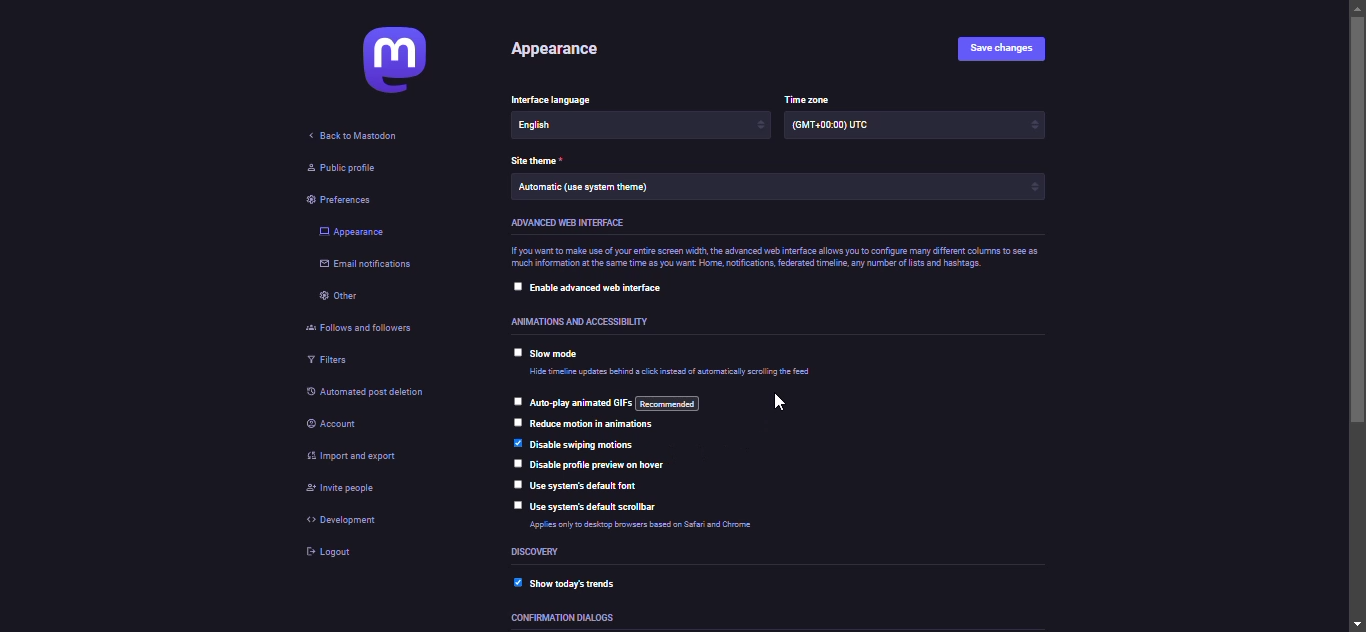 This screenshot has width=1366, height=632. I want to click on disable profile preview on hover, so click(600, 464).